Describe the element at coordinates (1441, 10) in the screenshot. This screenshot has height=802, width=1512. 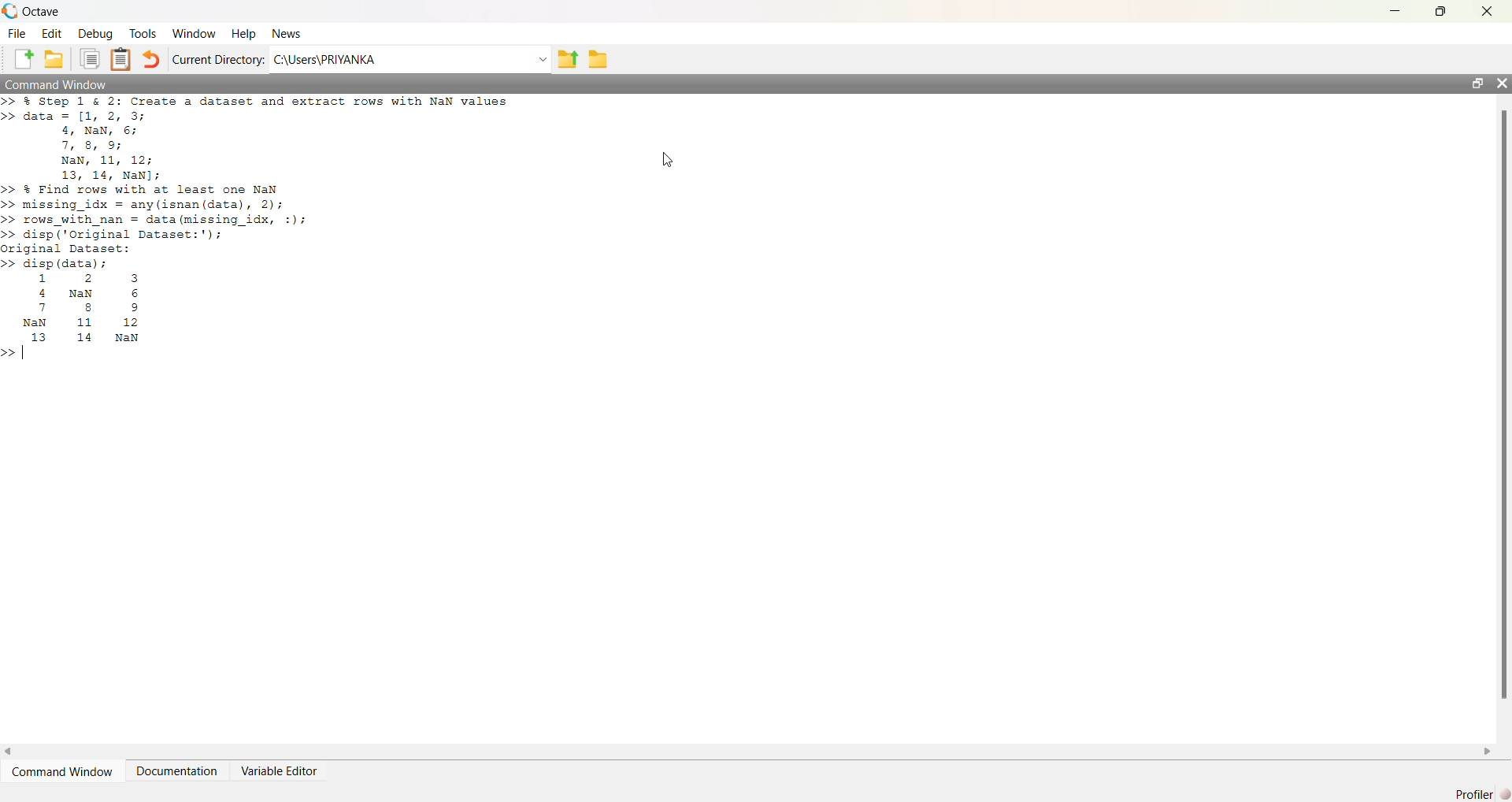
I see `maximize` at that location.